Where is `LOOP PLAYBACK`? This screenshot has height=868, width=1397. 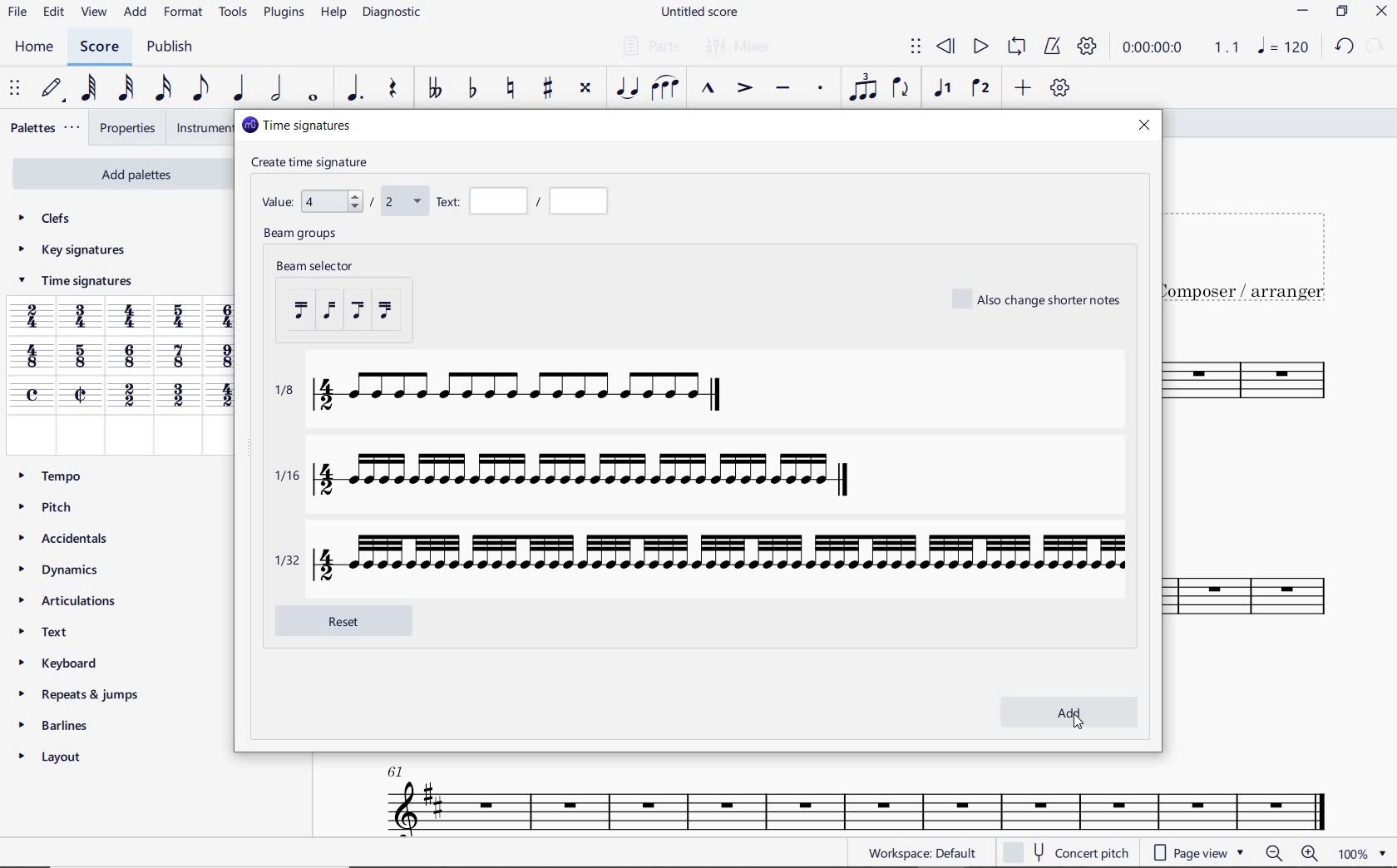
LOOP PLAYBACK is located at coordinates (1015, 47).